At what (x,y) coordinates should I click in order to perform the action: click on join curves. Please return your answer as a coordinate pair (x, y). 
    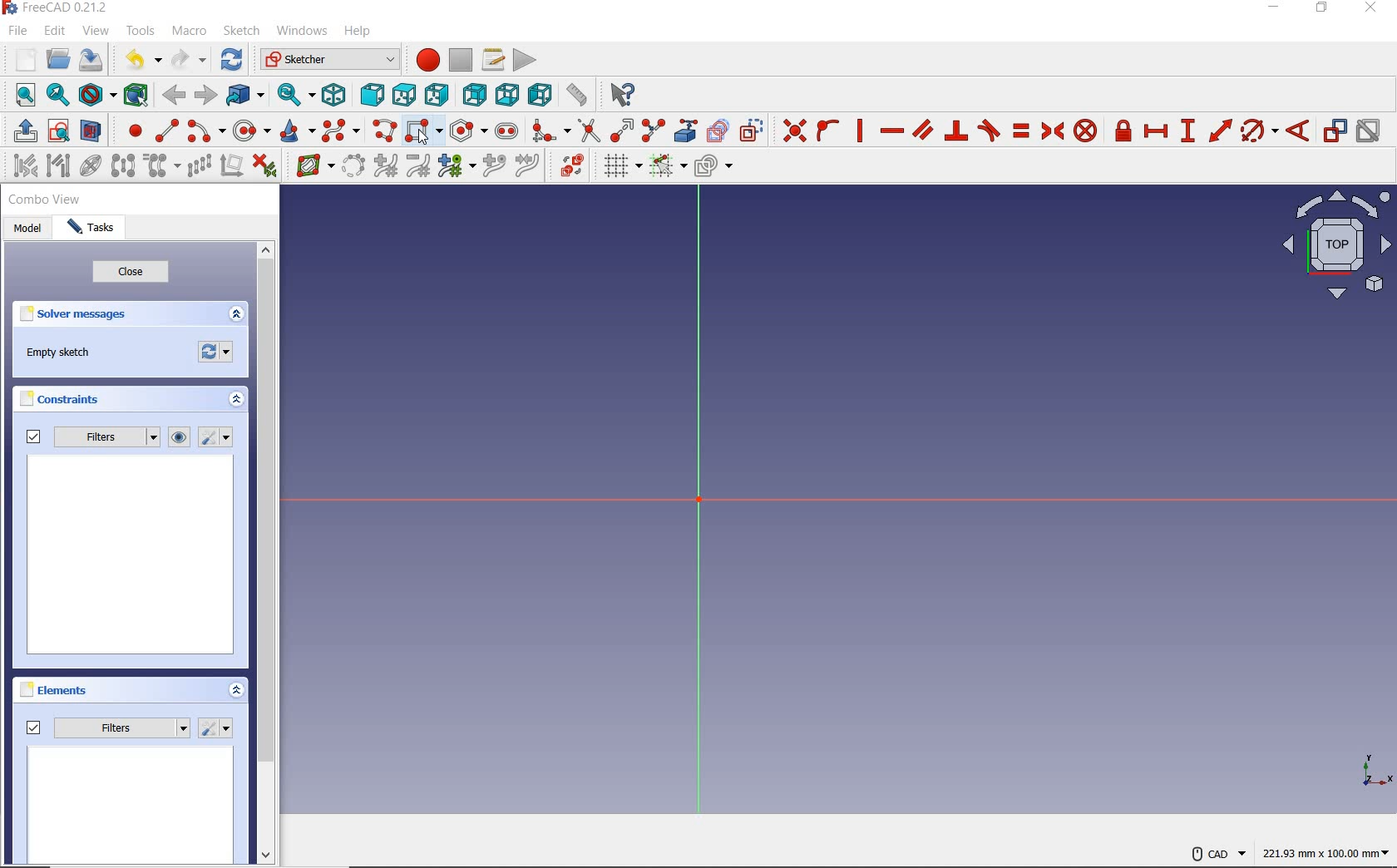
    Looking at the image, I should click on (529, 168).